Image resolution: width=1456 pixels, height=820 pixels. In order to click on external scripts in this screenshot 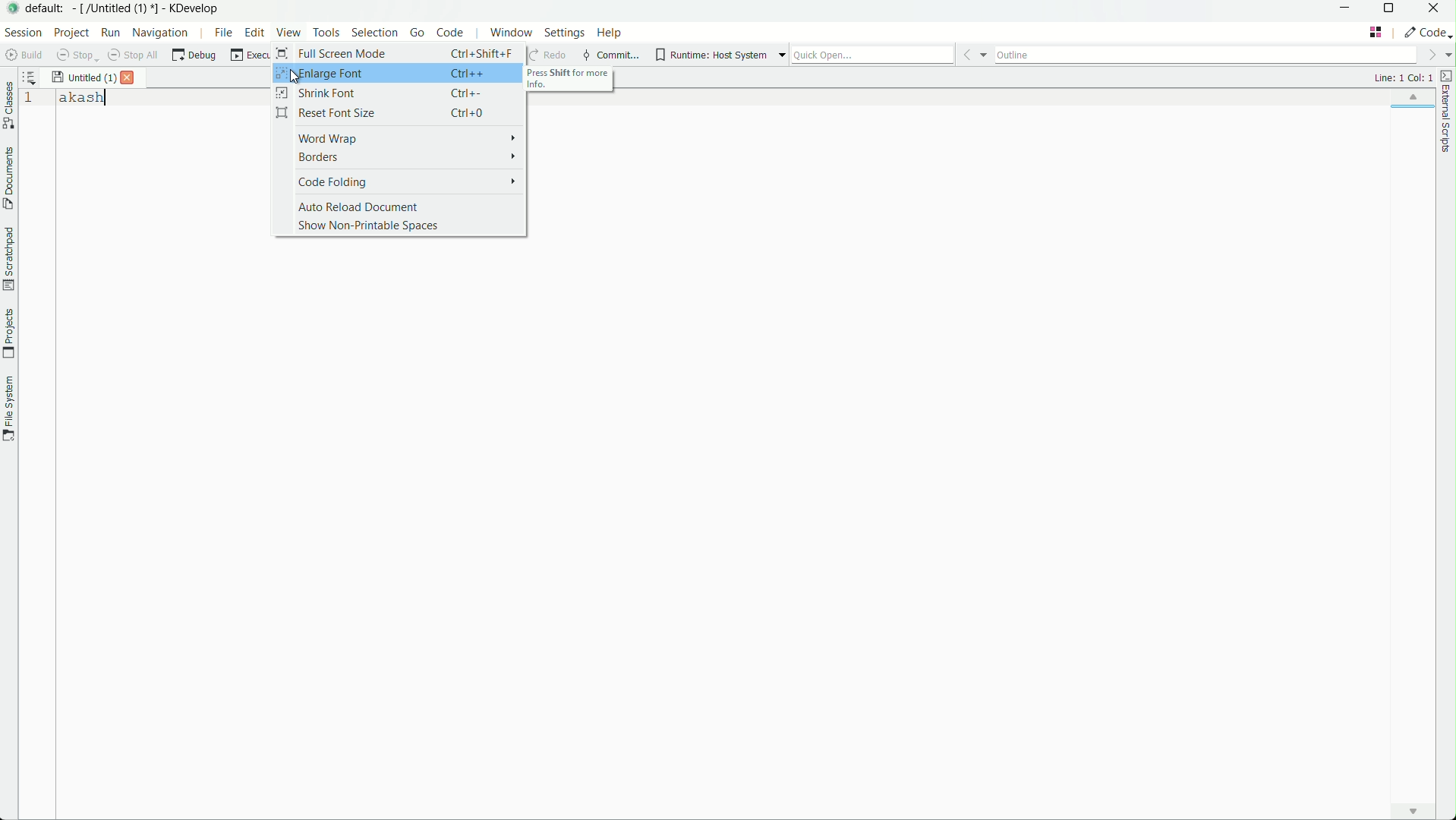, I will do `click(1447, 110)`.